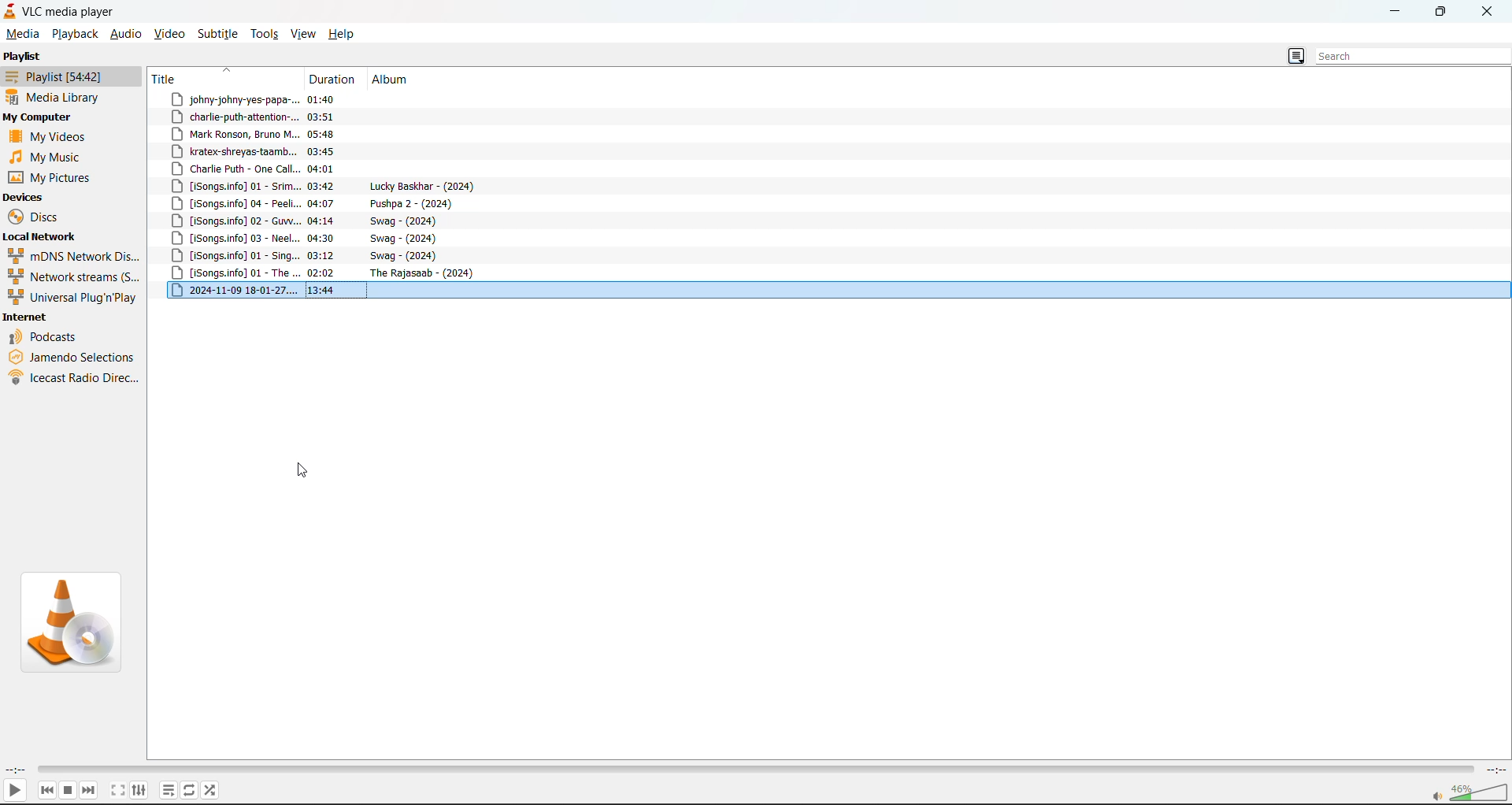  I want to click on search, so click(1413, 57).